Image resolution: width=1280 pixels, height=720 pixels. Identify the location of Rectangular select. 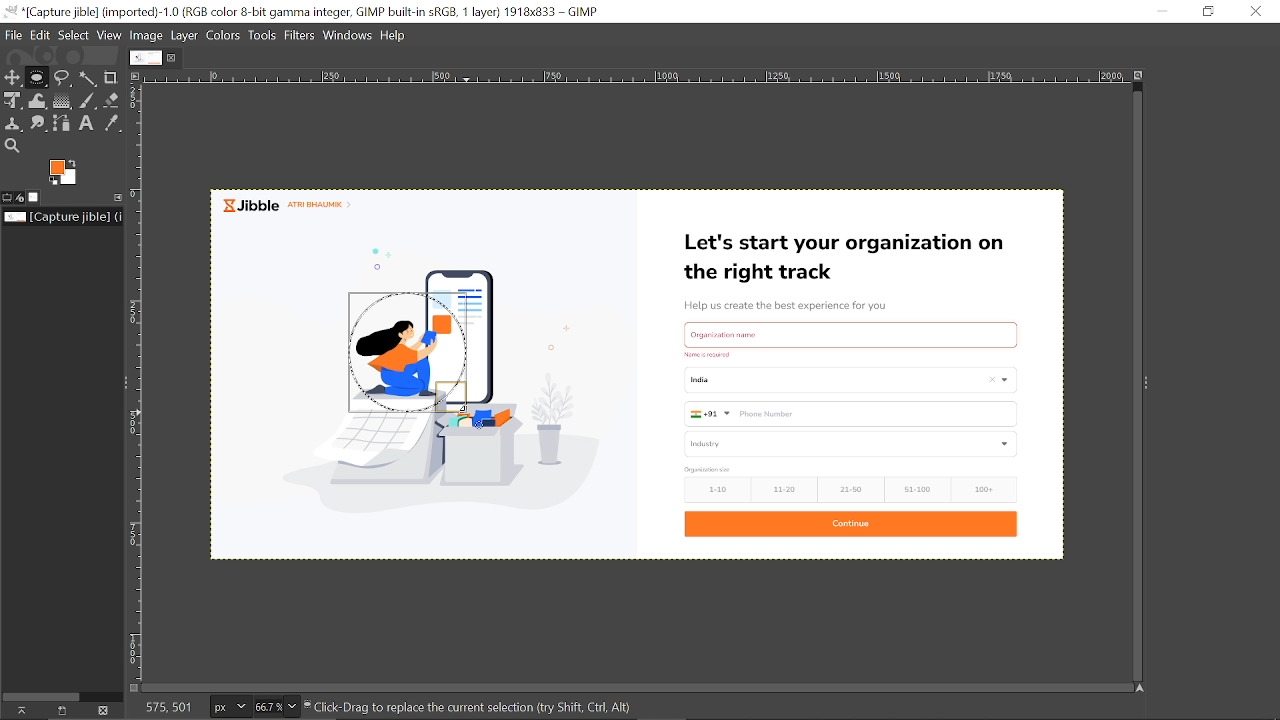
(36, 81).